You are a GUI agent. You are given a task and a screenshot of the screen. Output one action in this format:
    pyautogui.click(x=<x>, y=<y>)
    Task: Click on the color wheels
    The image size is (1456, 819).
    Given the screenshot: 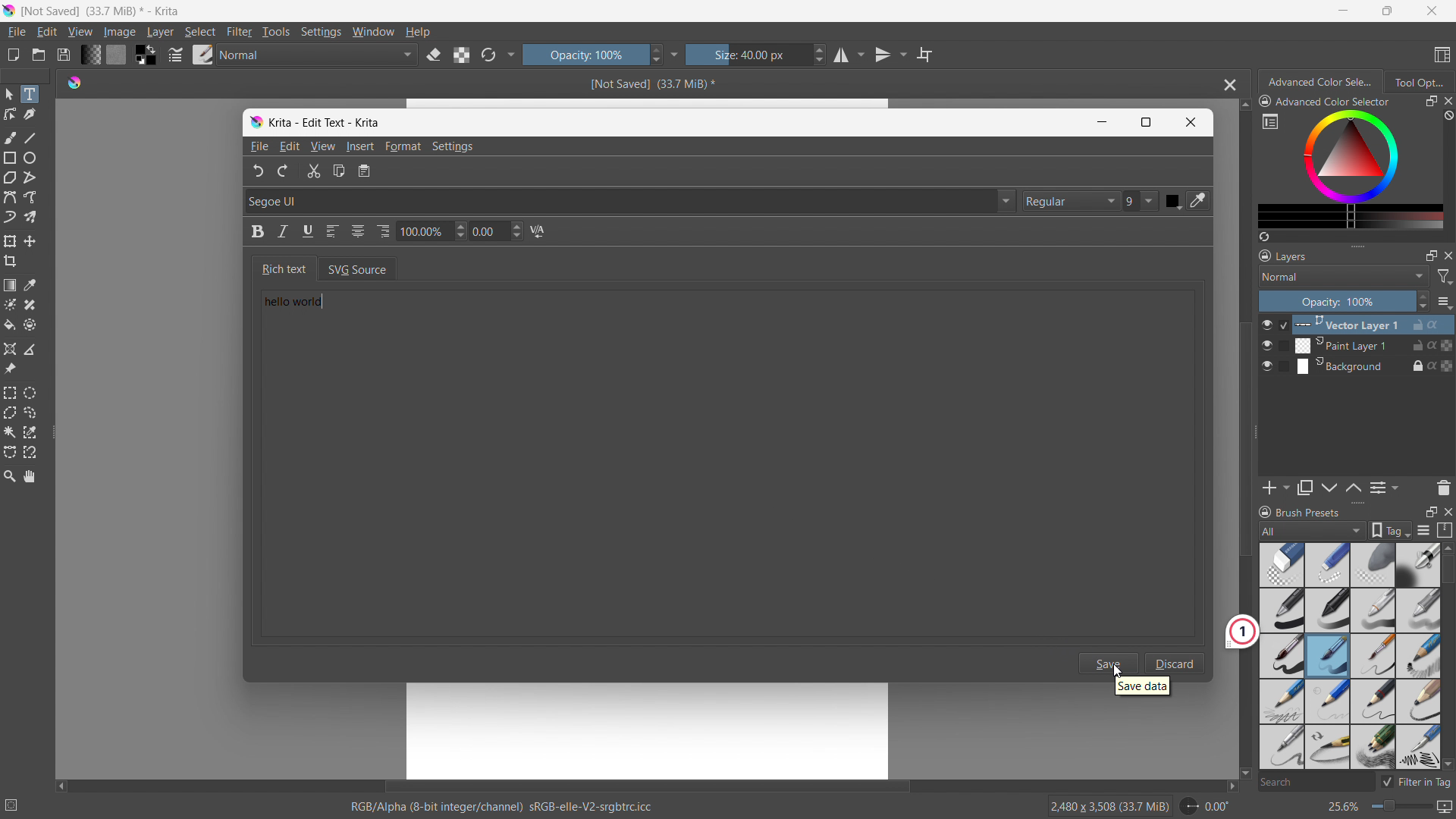 What is the action you would take?
    pyautogui.click(x=1351, y=155)
    